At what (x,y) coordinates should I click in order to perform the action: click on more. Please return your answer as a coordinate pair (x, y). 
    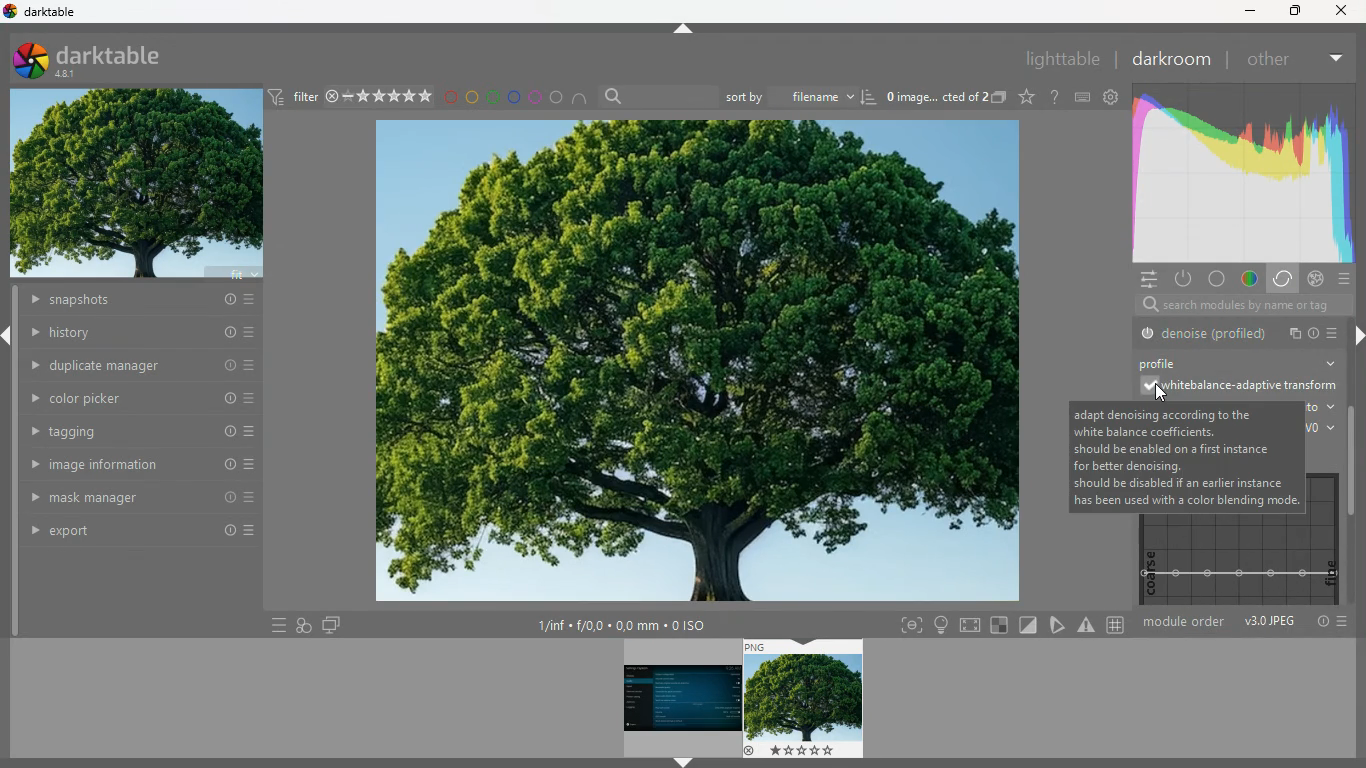
    Looking at the image, I should click on (277, 624).